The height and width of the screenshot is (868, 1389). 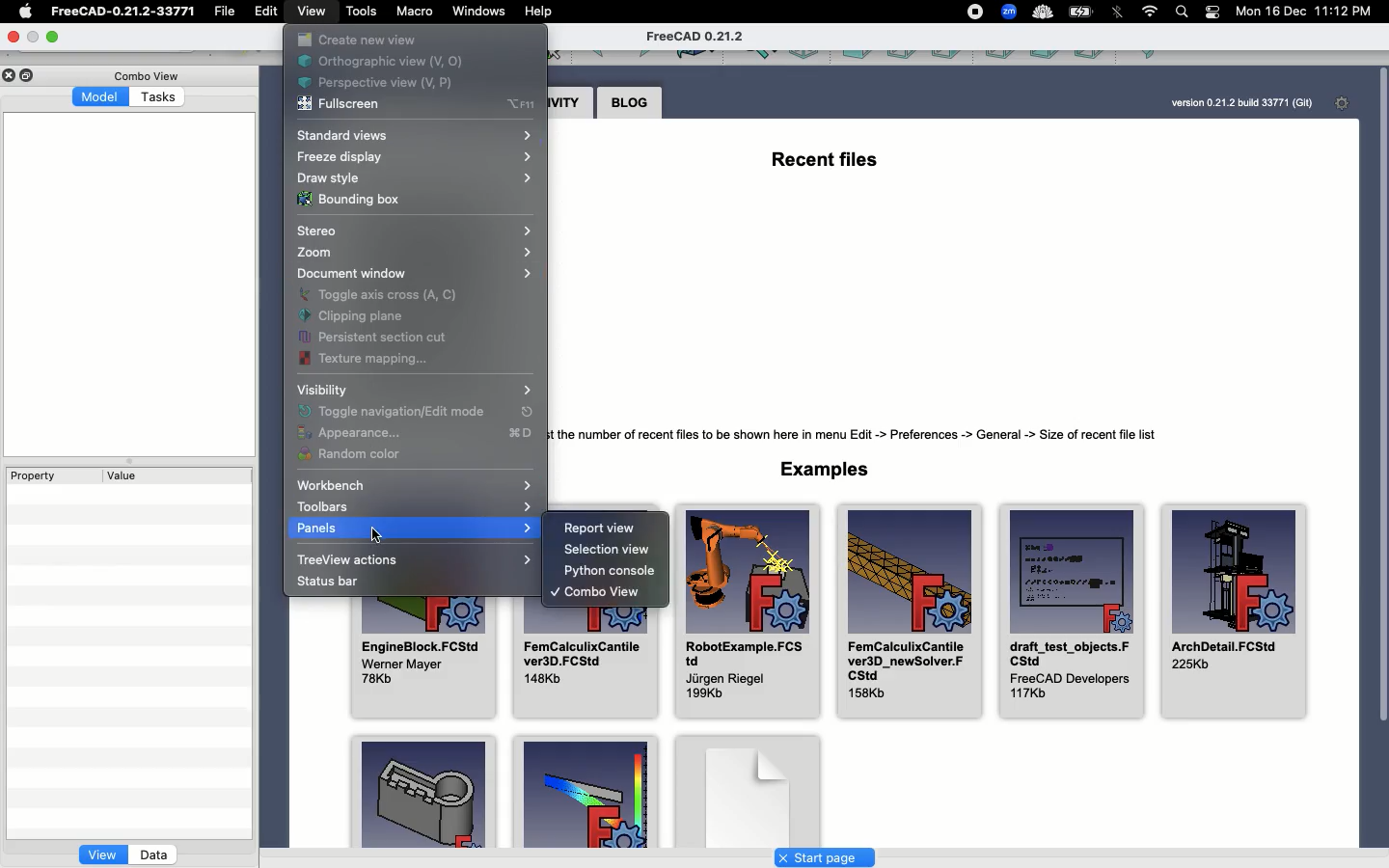 What do you see at coordinates (412, 506) in the screenshot?
I see `Toolbars` at bounding box center [412, 506].